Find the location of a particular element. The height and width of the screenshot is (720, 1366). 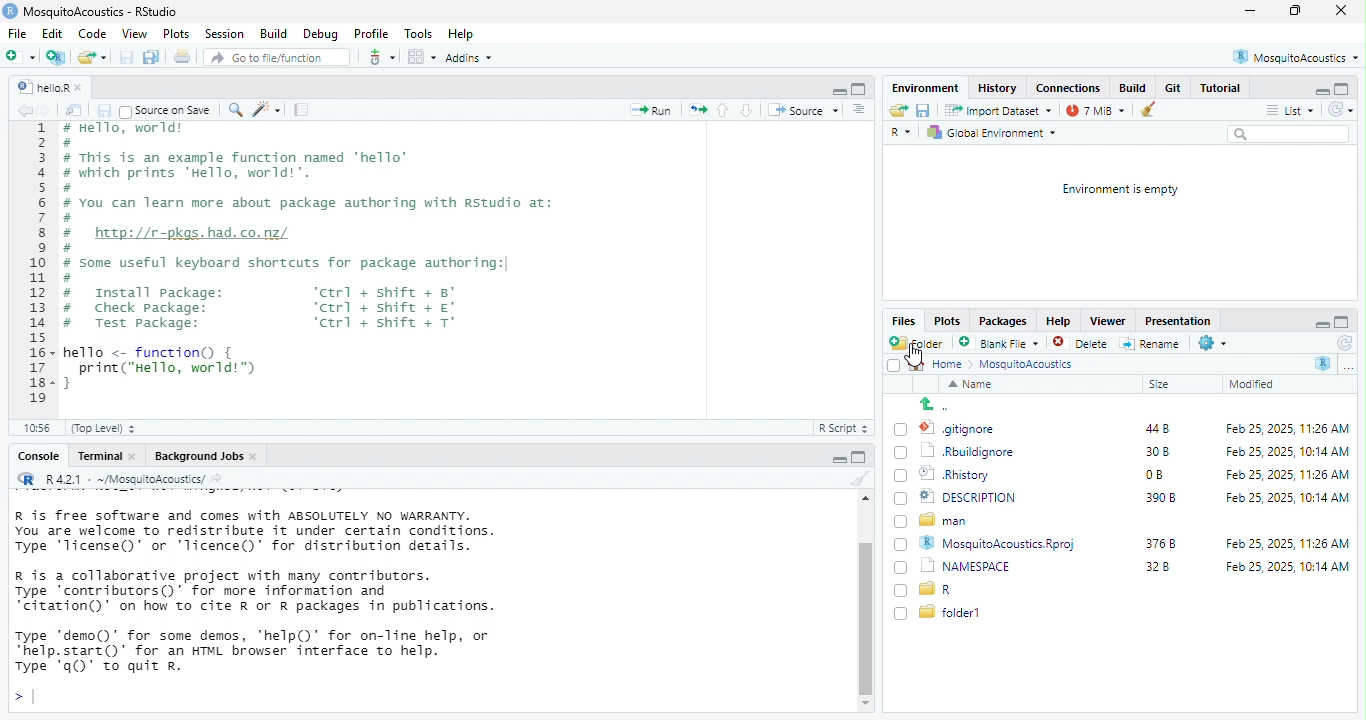

compile report is located at coordinates (303, 111).